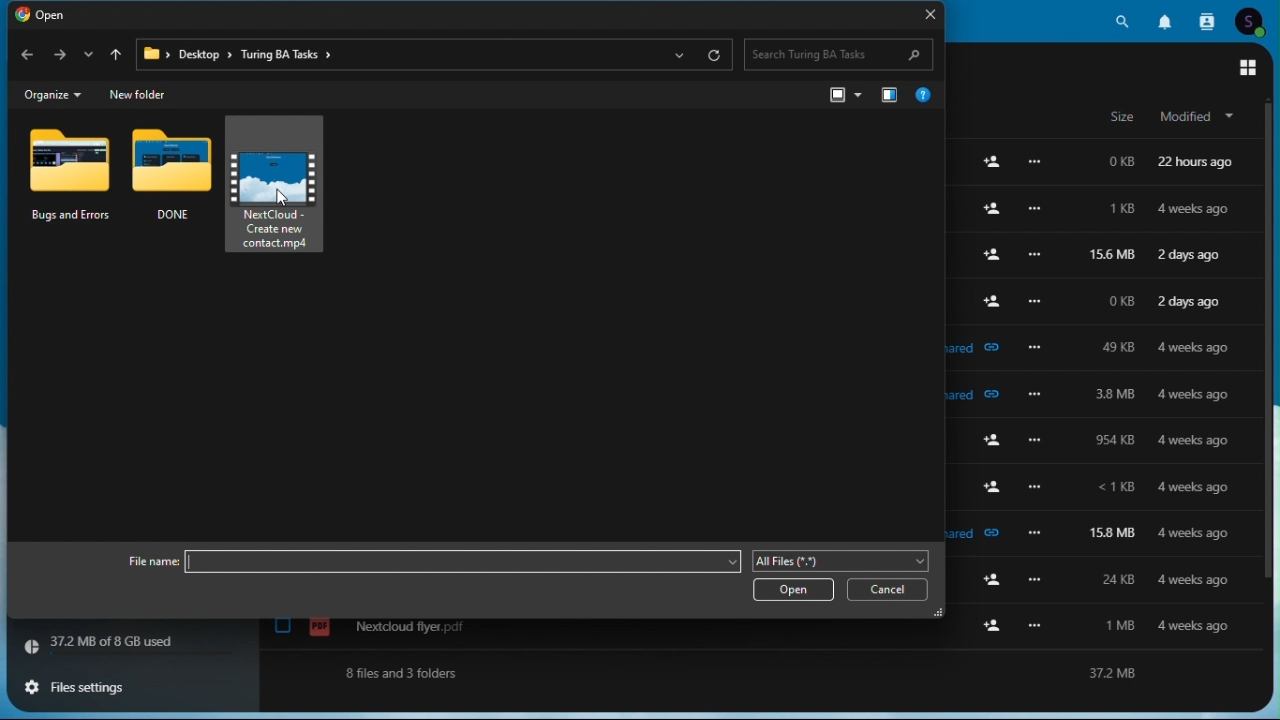 This screenshot has height=720, width=1280. I want to click on 158 mb, so click(1113, 533).